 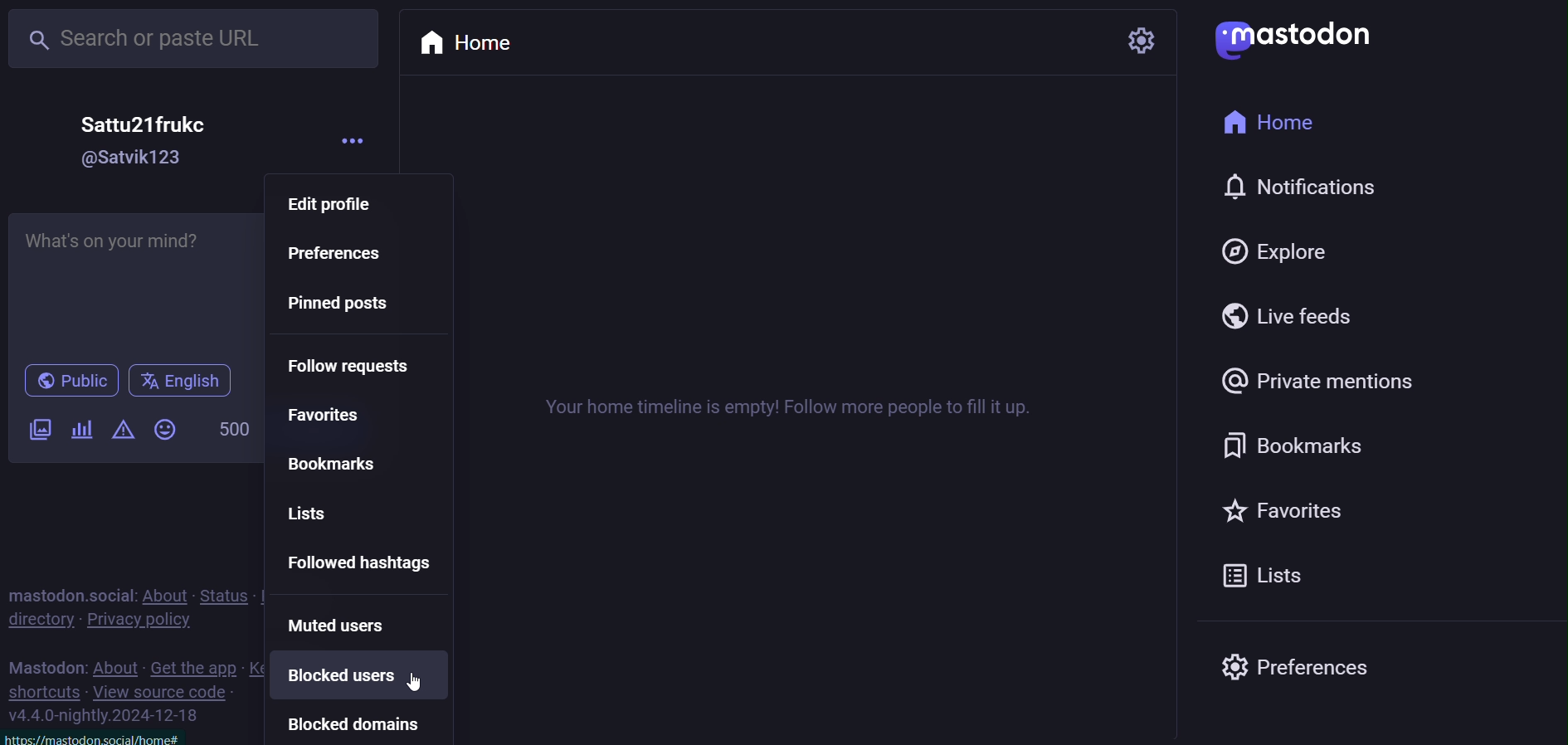 What do you see at coordinates (195, 38) in the screenshot?
I see `Search or paste URL` at bounding box center [195, 38].